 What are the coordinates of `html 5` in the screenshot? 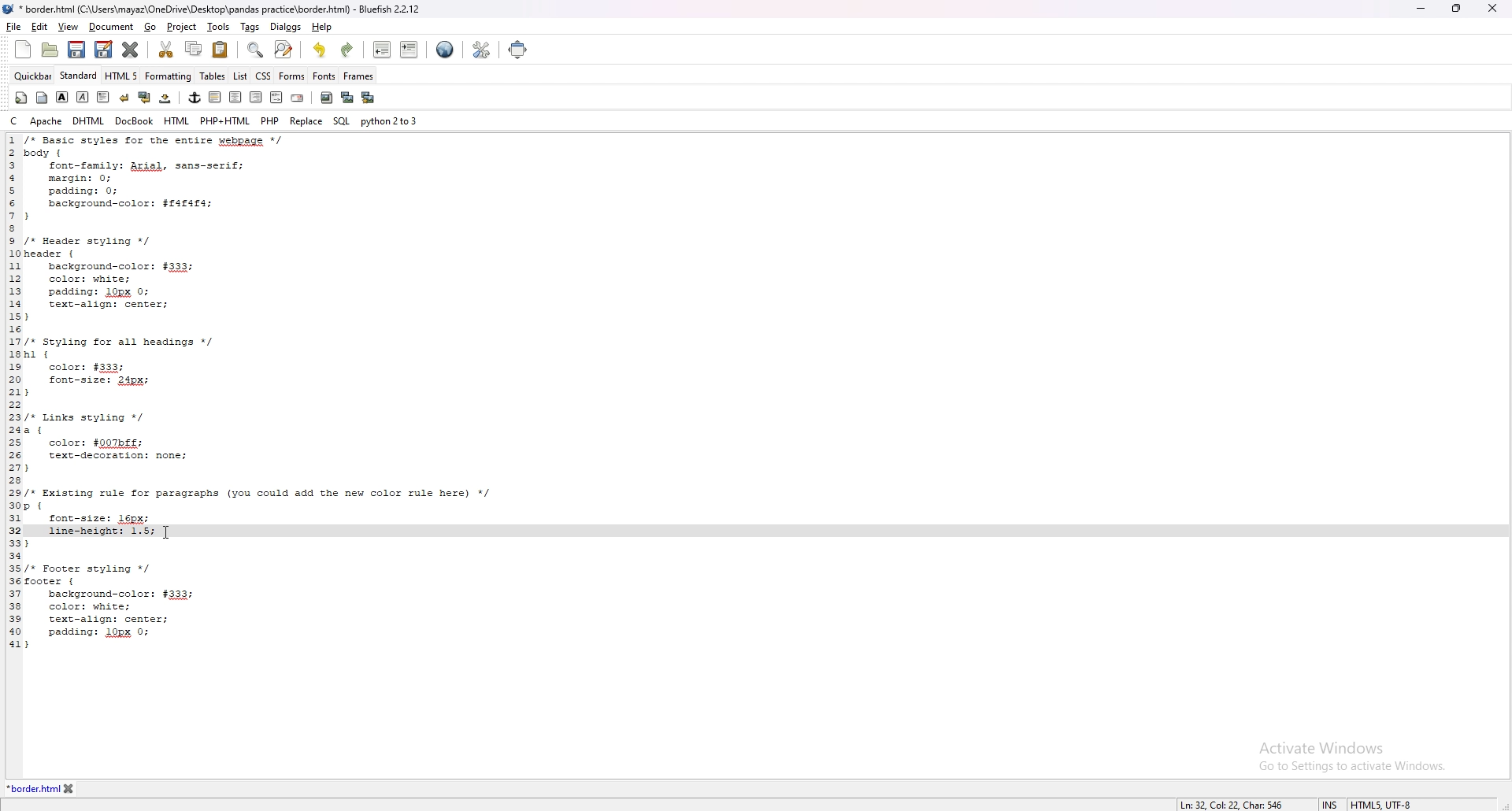 It's located at (122, 76).